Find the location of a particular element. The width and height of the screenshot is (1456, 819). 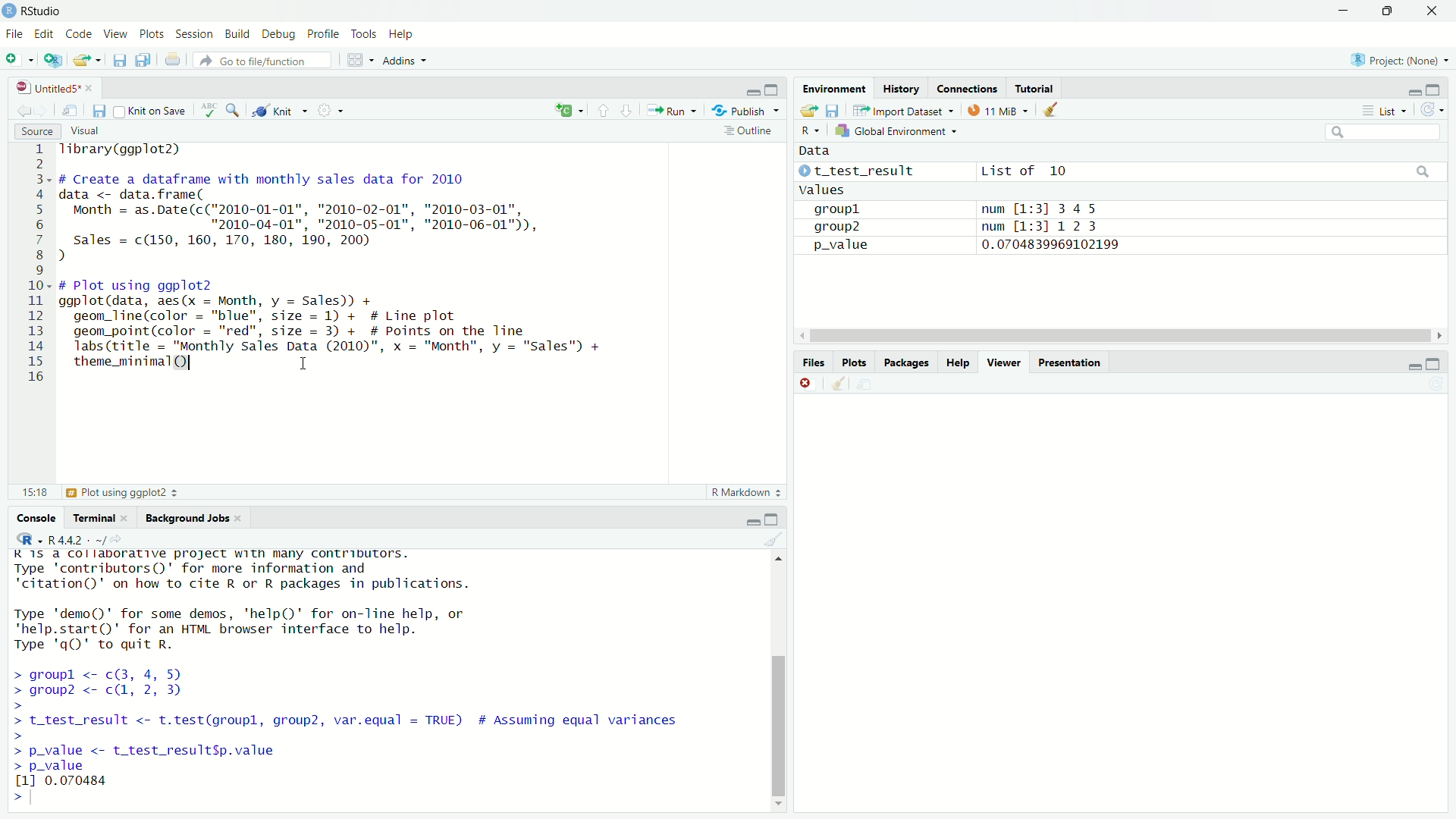

Help is located at coordinates (406, 34).